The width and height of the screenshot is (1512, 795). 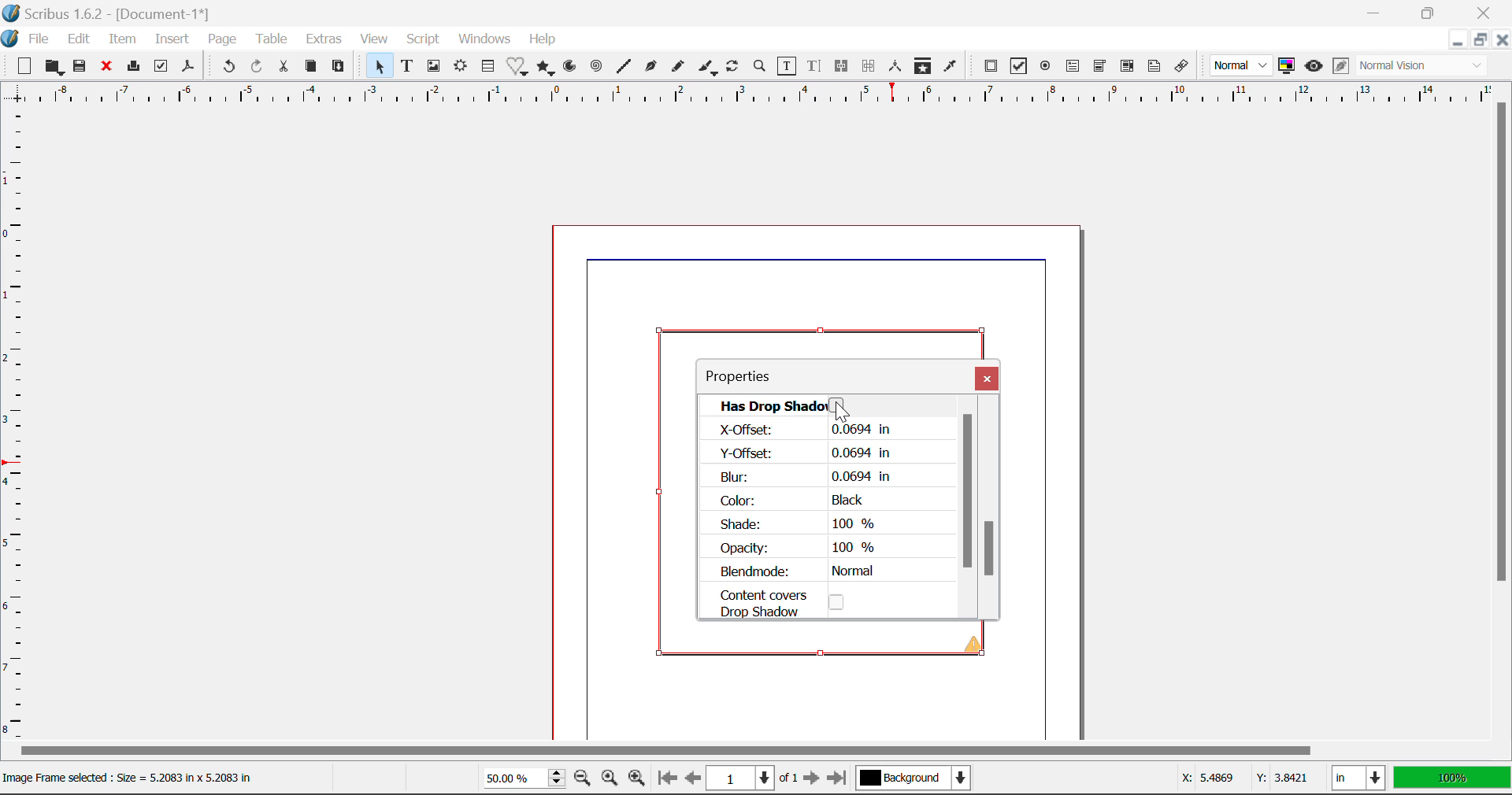 What do you see at coordinates (1380, 11) in the screenshot?
I see `Restore Down` at bounding box center [1380, 11].